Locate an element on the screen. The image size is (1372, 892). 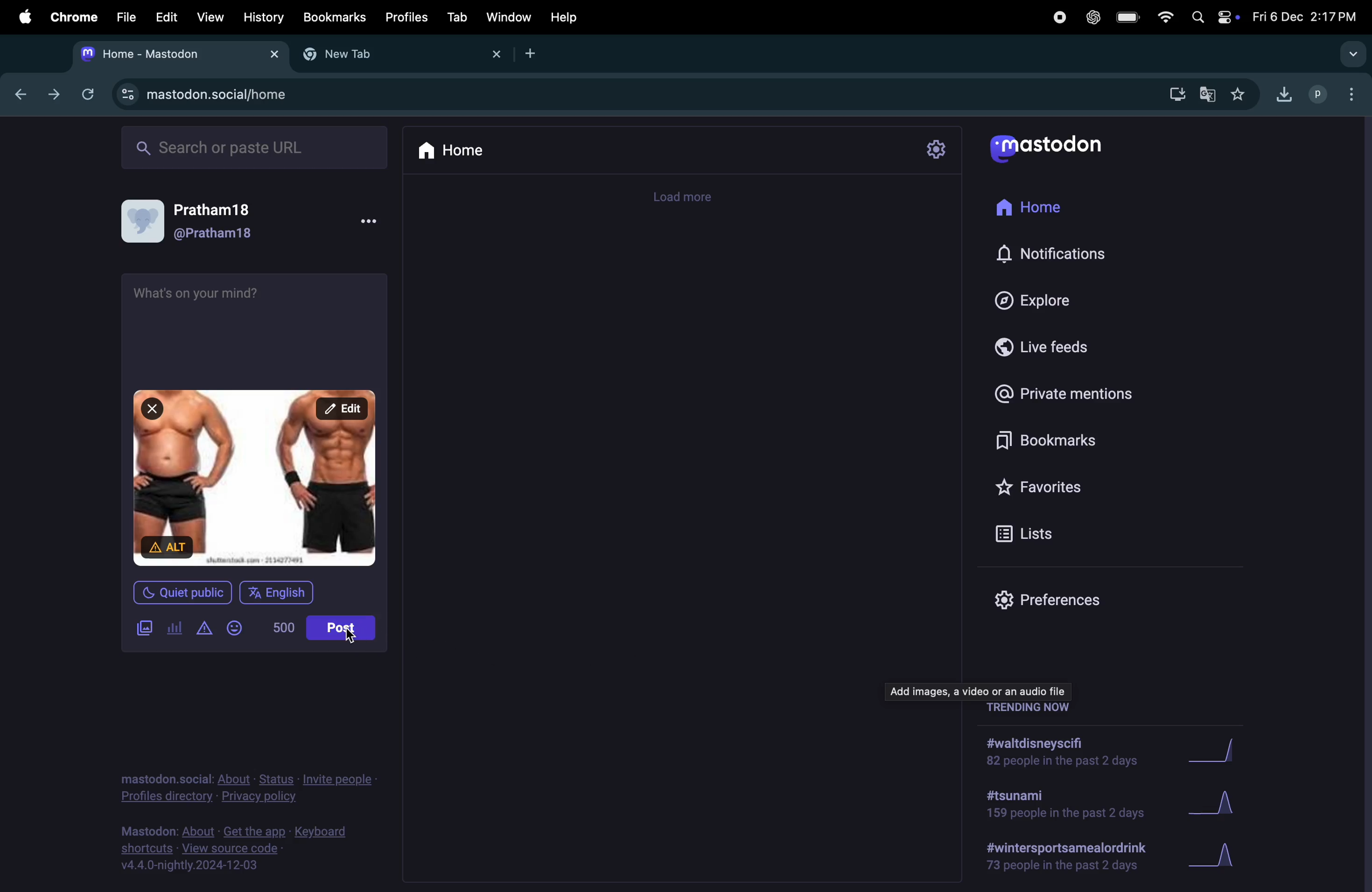
live feeds is located at coordinates (1053, 351).